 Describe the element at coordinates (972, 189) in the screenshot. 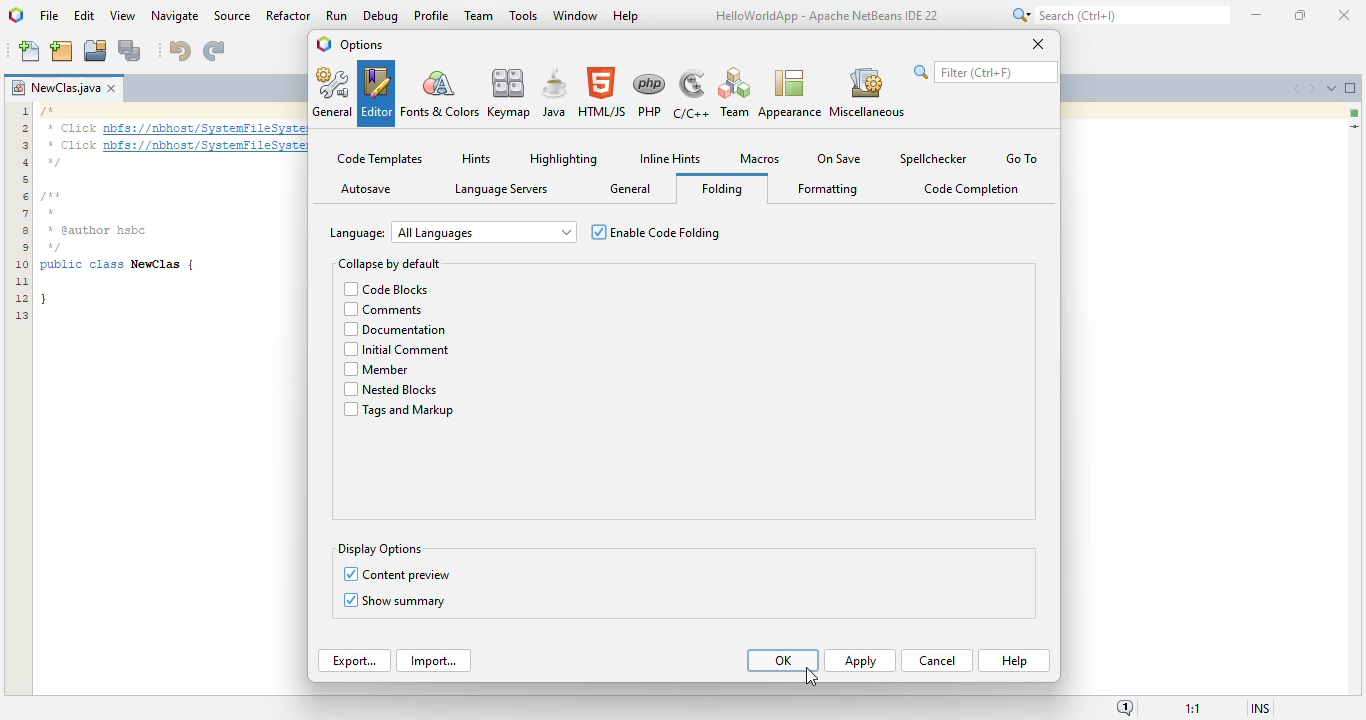

I see `code completion` at that location.